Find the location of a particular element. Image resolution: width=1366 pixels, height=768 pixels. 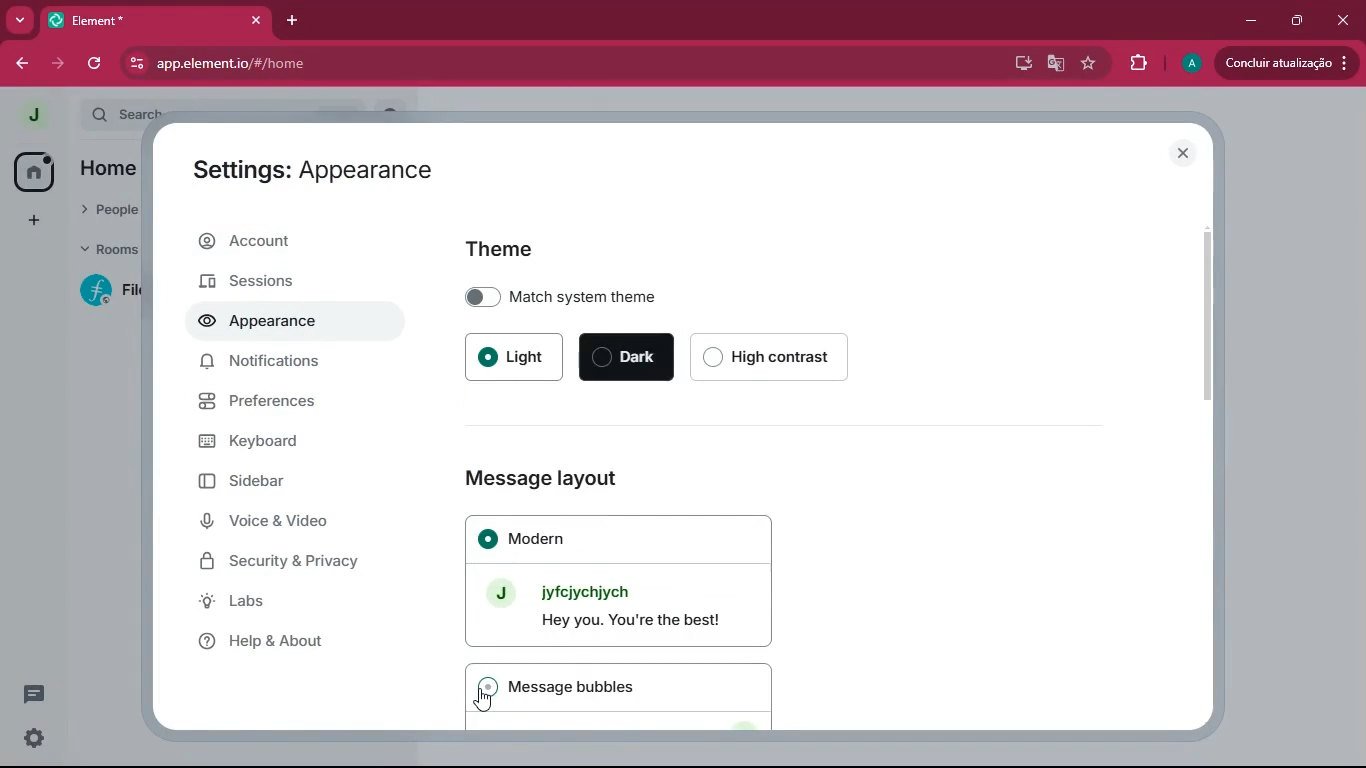

Message layout is located at coordinates (538, 480).